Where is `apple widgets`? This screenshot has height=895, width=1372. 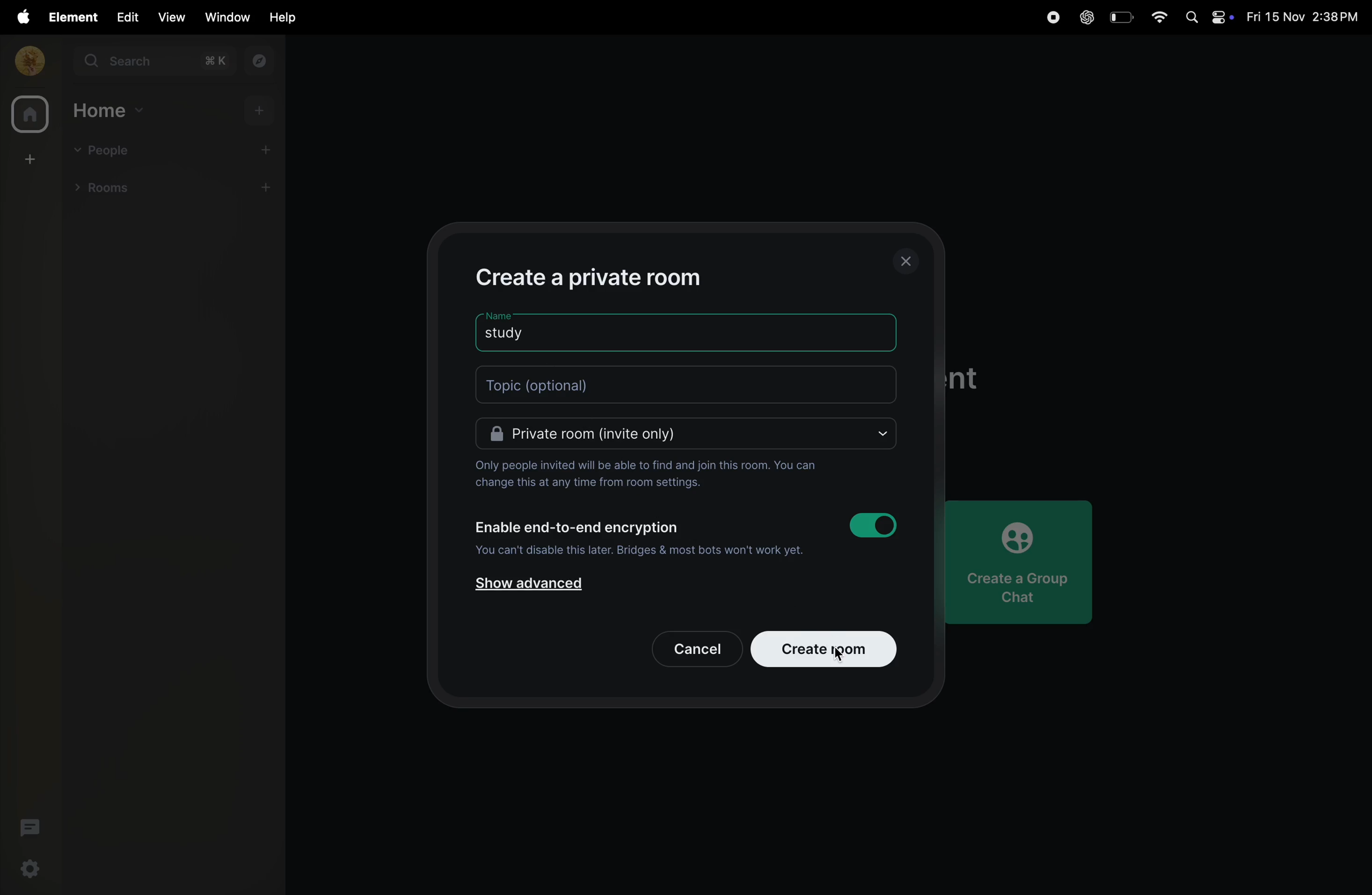
apple widgets is located at coordinates (1208, 16).